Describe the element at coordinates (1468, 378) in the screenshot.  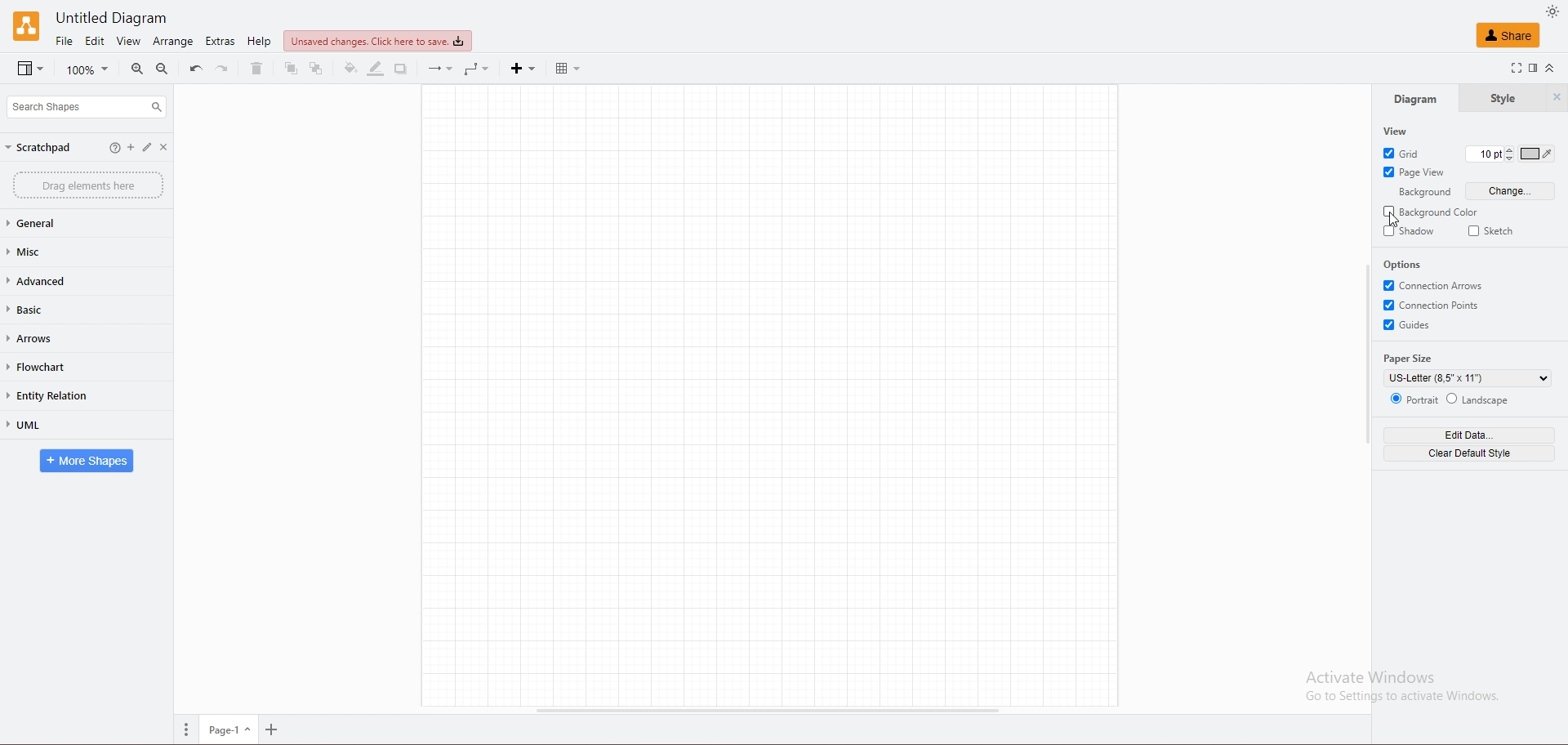
I see `paper size value` at that location.